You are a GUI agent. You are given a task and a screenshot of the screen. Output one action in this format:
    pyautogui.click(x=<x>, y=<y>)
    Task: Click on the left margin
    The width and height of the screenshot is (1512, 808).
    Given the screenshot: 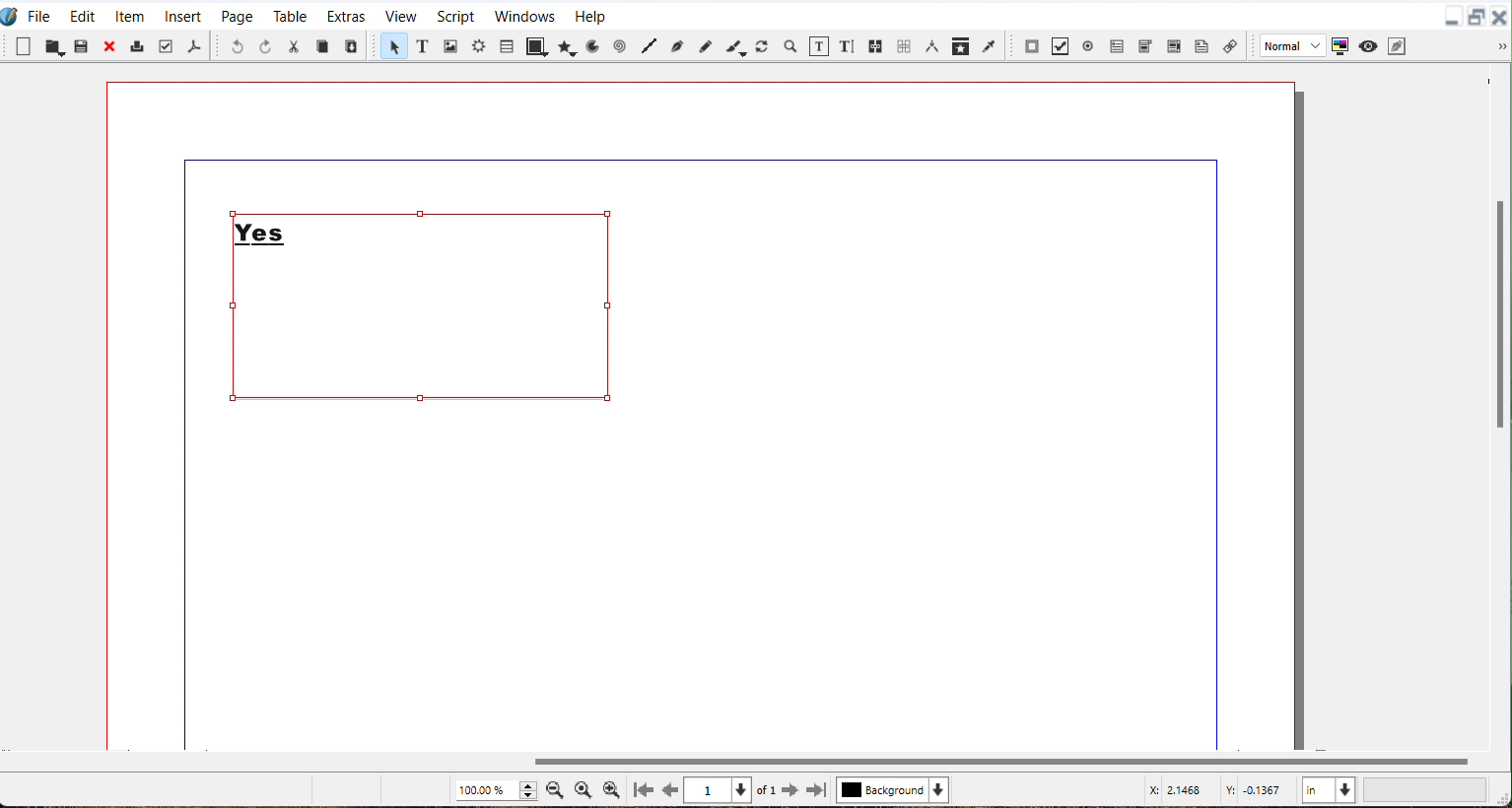 What is the action you would take?
    pyautogui.click(x=181, y=460)
    